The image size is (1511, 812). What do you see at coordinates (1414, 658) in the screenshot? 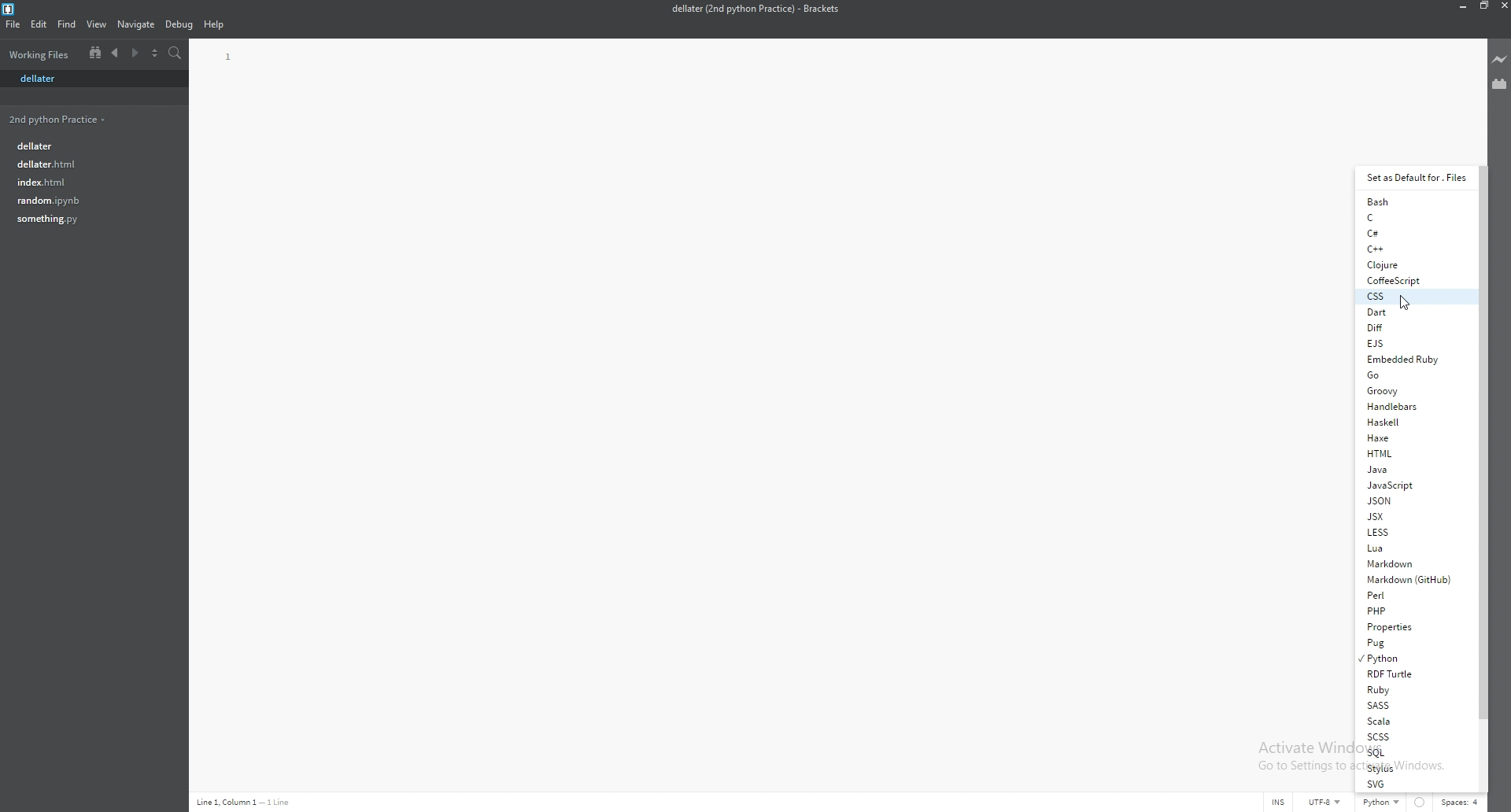
I see `python` at bounding box center [1414, 658].